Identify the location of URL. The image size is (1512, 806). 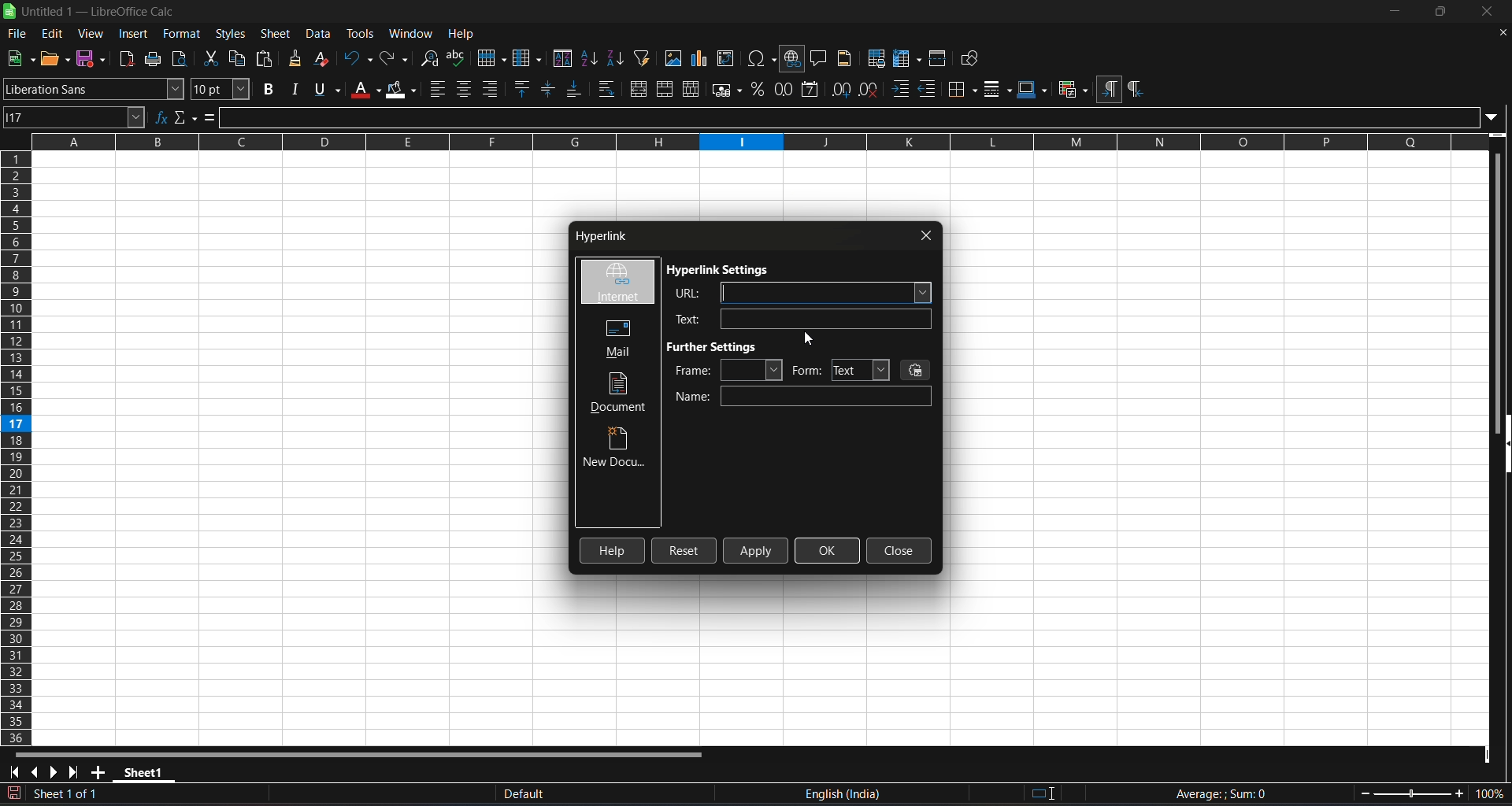
(797, 292).